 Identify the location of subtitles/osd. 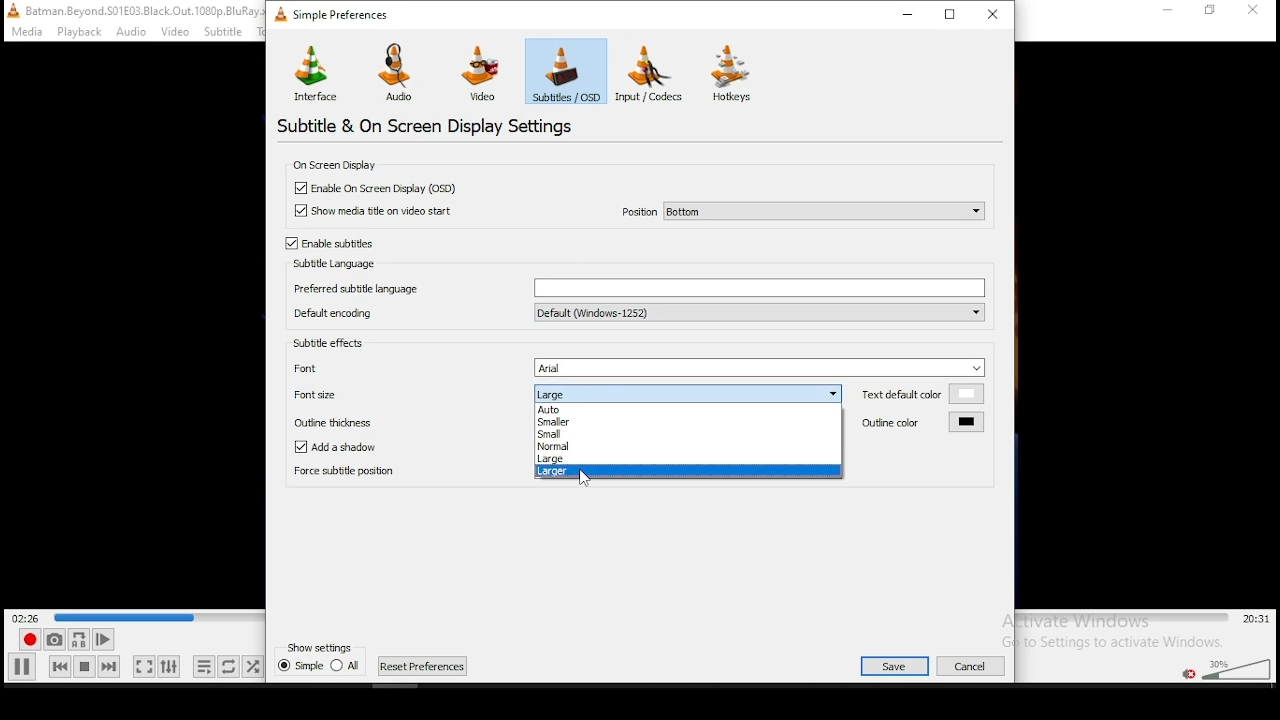
(566, 71).